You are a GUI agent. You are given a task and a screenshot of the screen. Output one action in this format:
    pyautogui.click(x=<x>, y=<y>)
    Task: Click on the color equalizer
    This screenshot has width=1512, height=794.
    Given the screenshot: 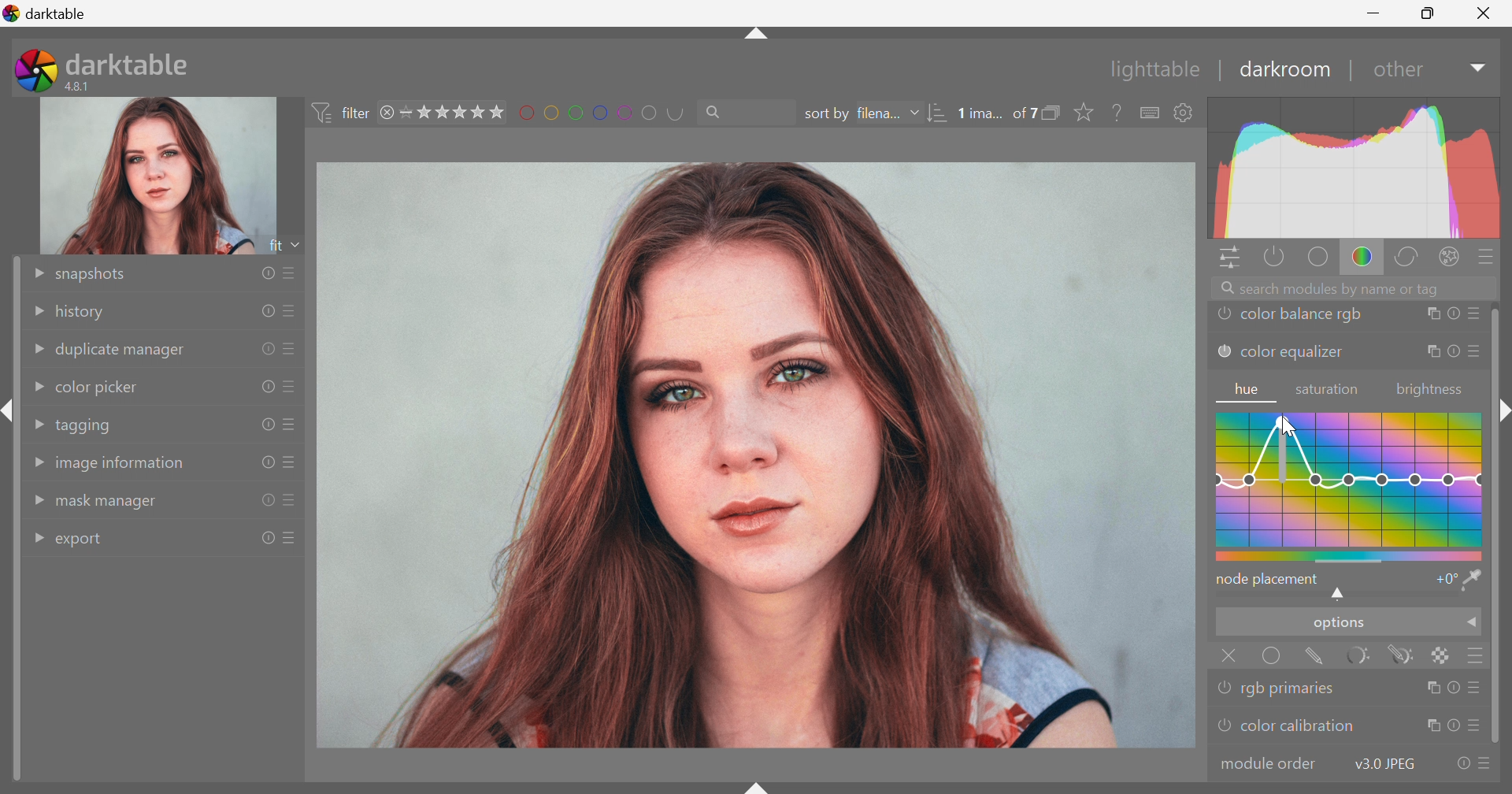 What is the action you would take?
    pyautogui.click(x=1293, y=355)
    